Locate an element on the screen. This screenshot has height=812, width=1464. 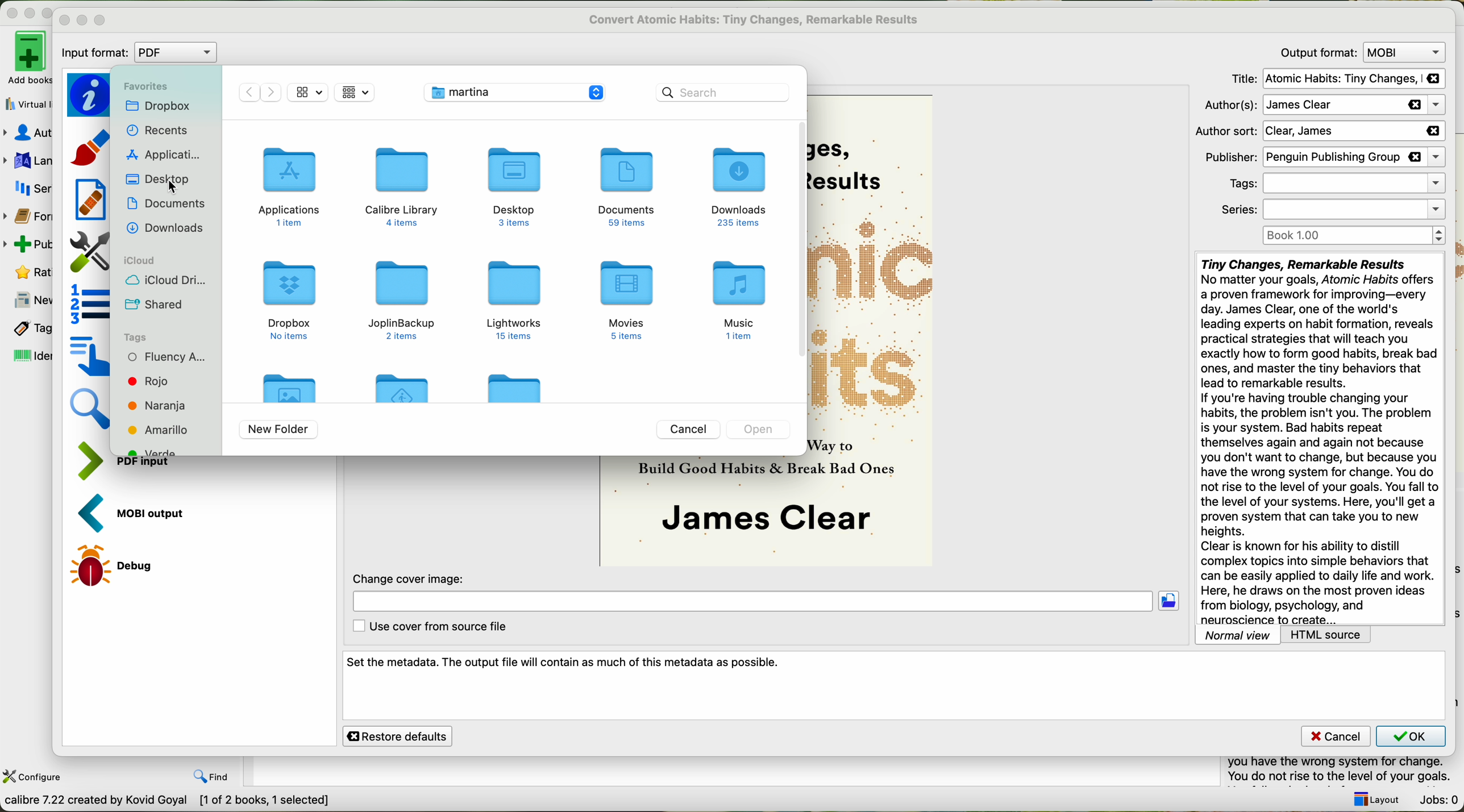
click on folder location is located at coordinates (1172, 602).